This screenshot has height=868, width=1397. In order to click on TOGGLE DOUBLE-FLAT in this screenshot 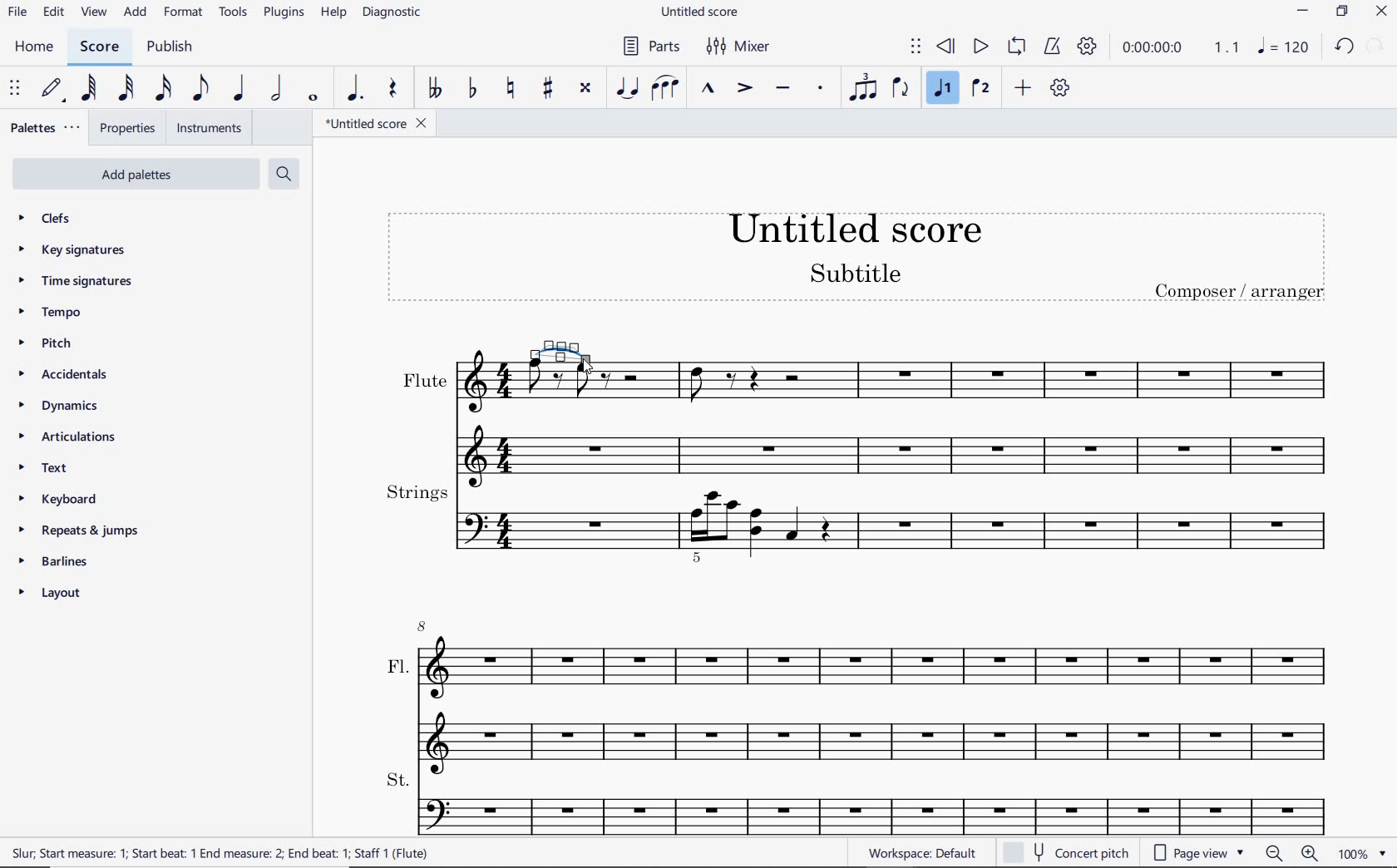, I will do `click(432, 88)`.